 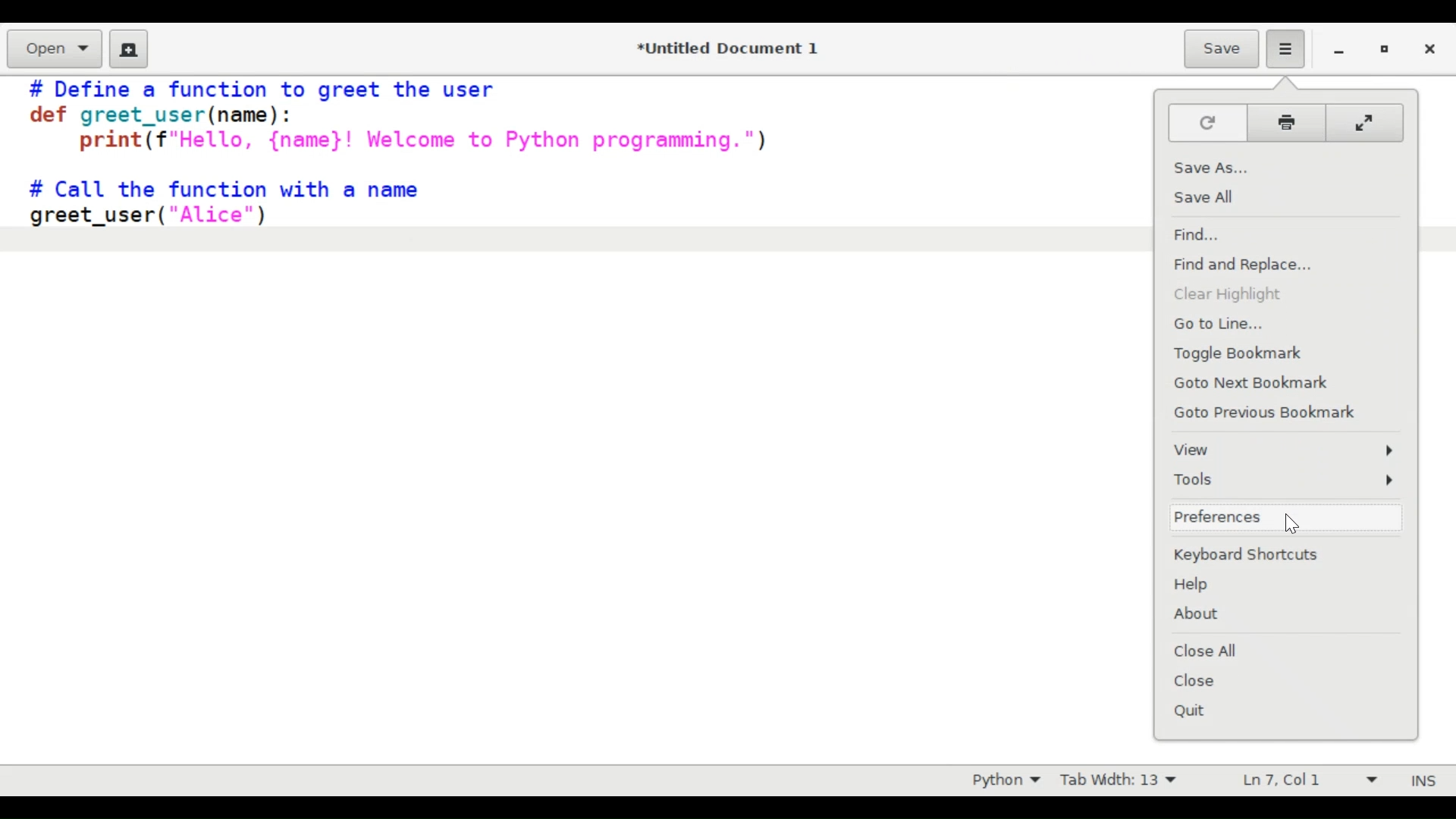 What do you see at coordinates (732, 49) in the screenshot?
I see `Document name` at bounding box center [732, 49].